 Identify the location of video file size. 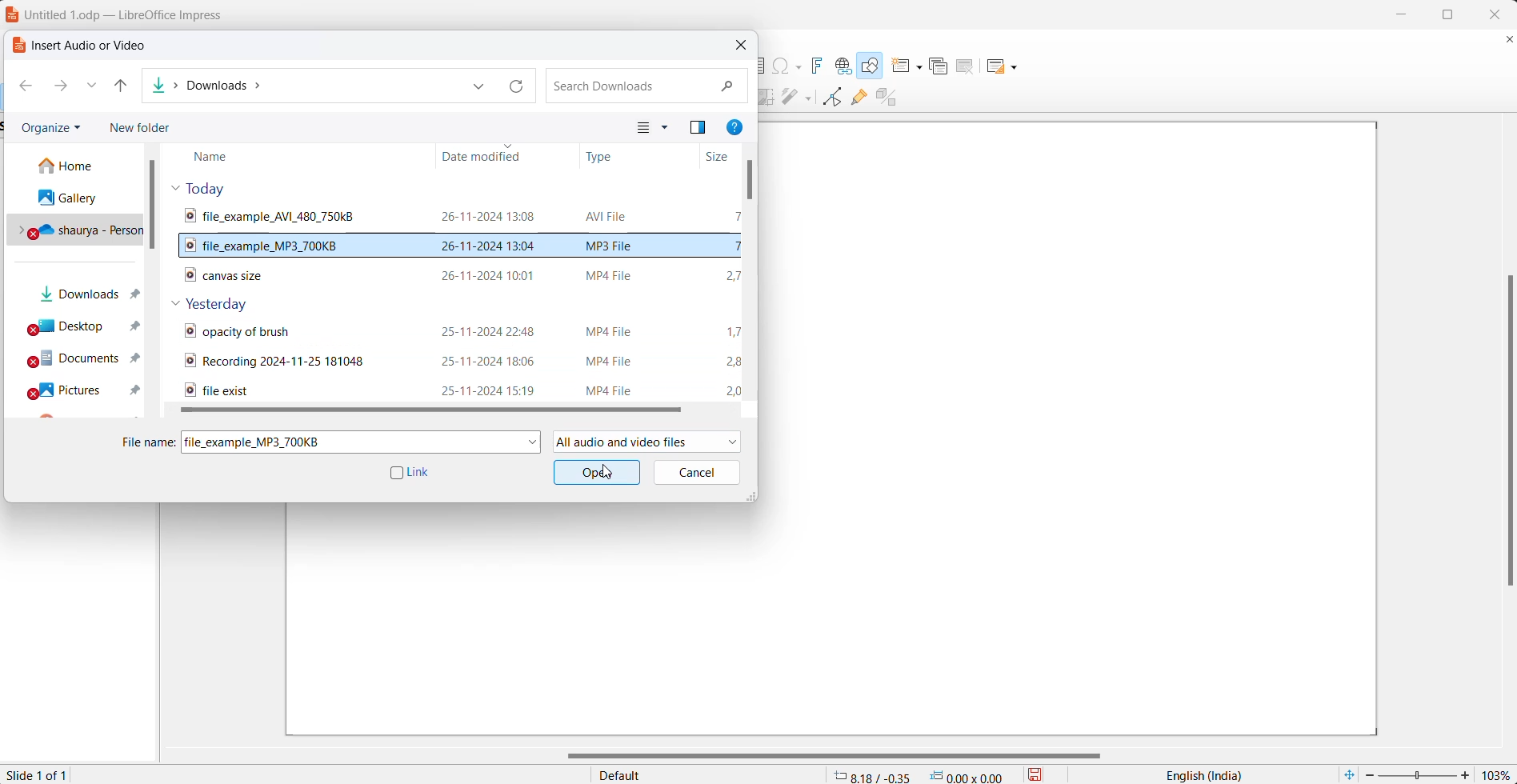
(732, 274).